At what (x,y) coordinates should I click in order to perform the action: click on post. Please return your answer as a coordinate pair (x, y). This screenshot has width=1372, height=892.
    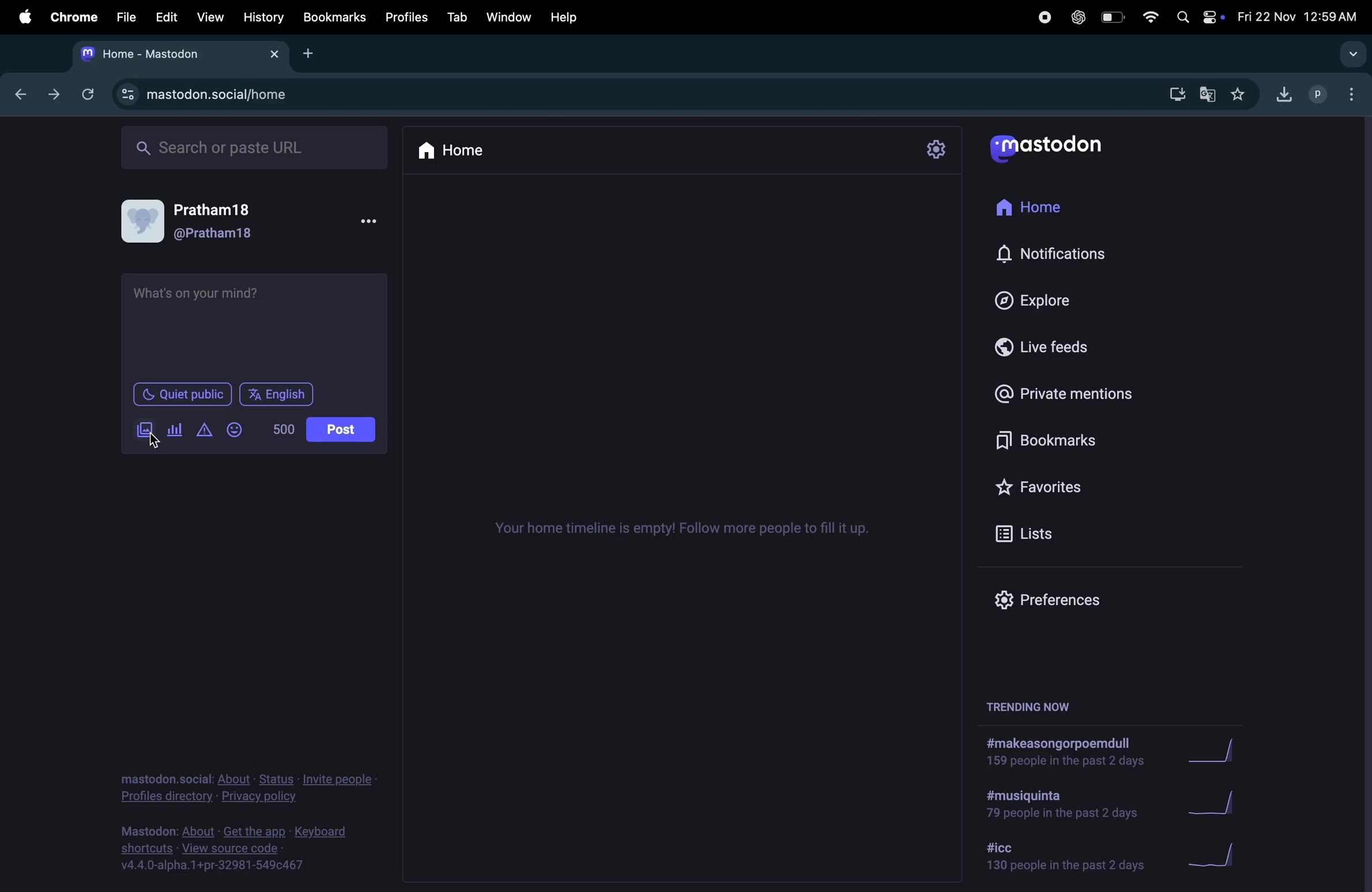
    Looking at the image, I should click on (339, 430).